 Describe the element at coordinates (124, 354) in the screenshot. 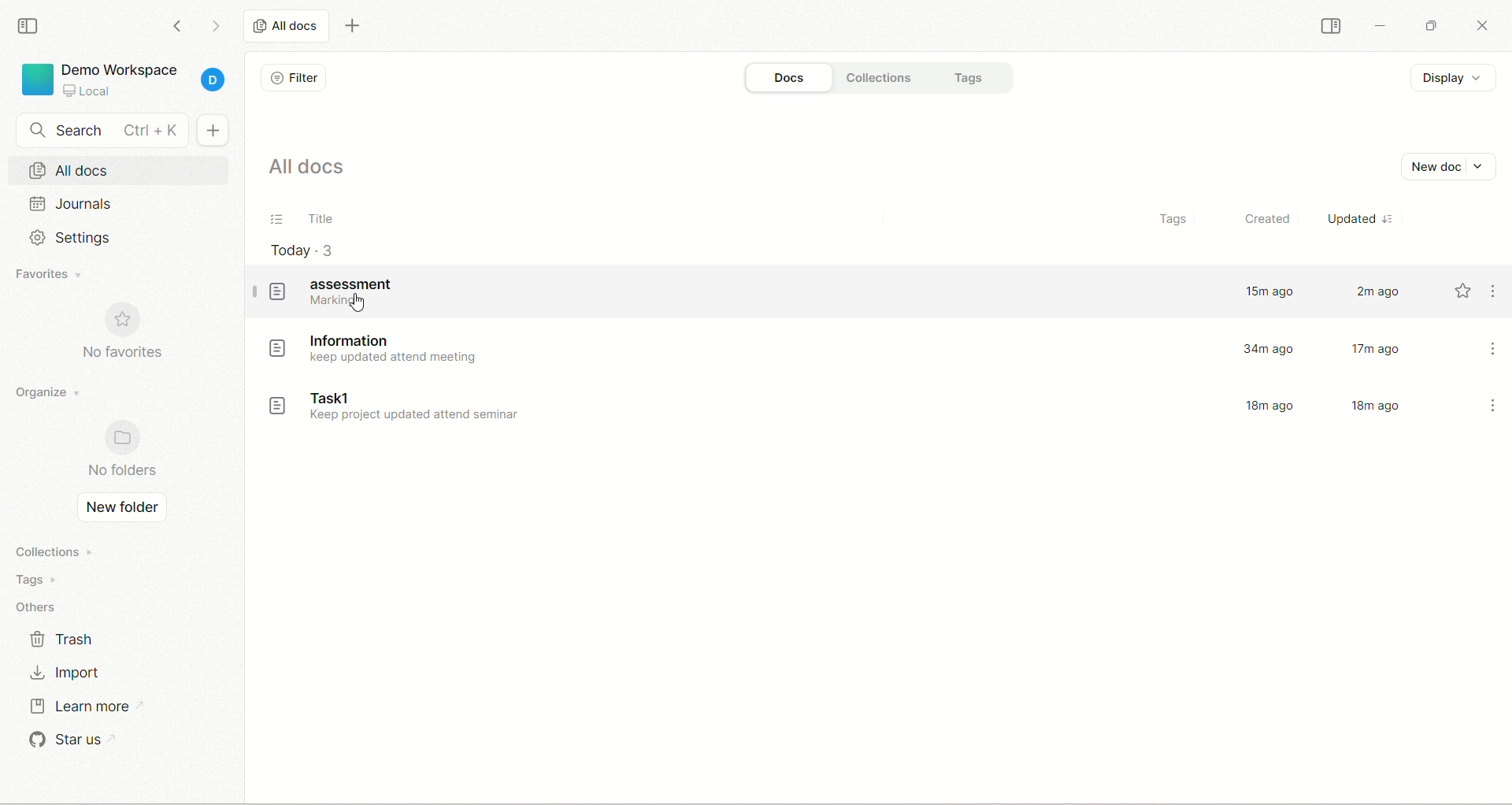

I see `no favorites` at that location.